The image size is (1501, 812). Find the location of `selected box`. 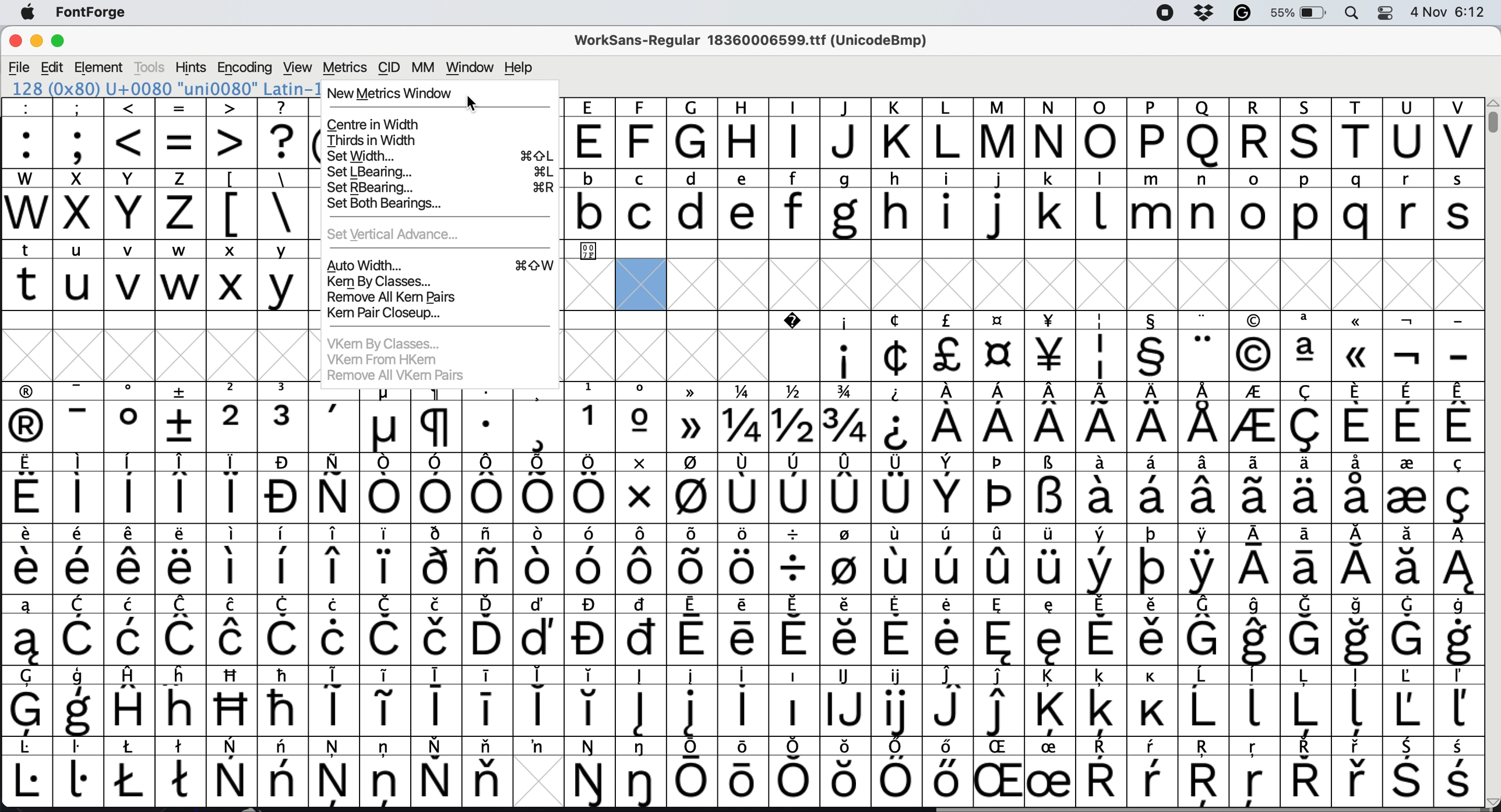

selected box is located at coordinates (643, 283).